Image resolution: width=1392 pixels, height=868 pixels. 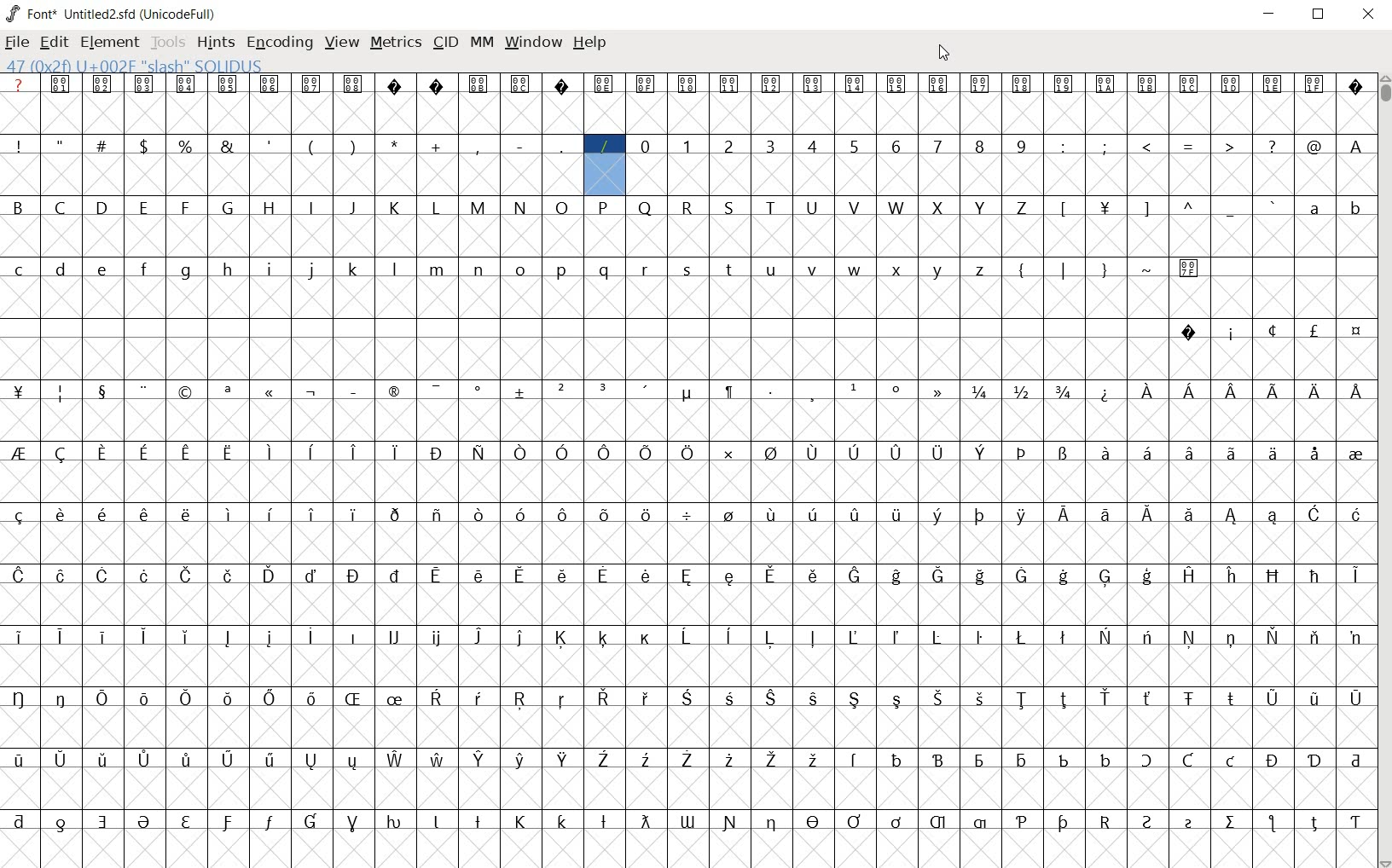 I want to click on glyph, so click(x=1105, y=636).